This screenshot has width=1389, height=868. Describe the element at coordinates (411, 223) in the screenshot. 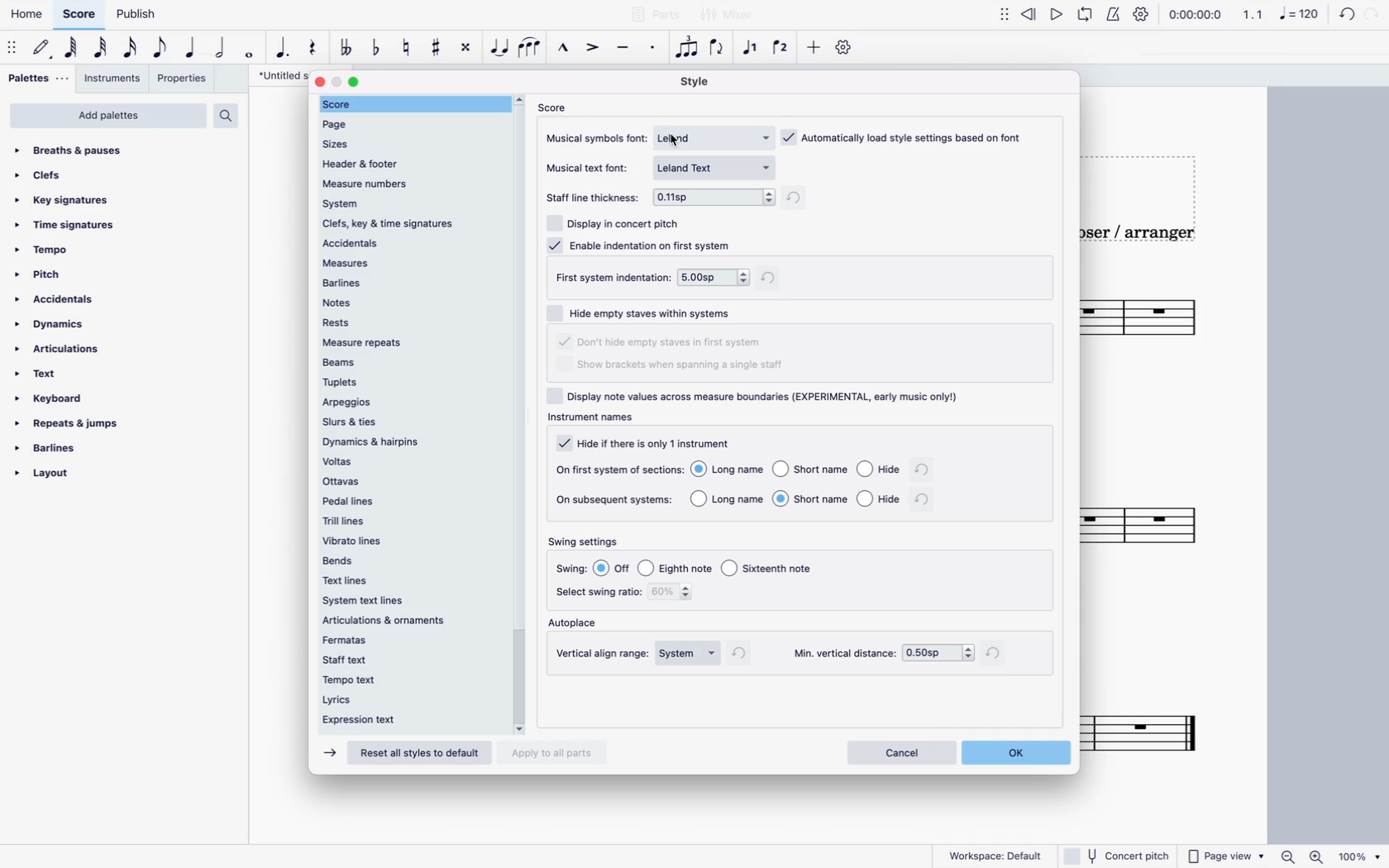

I see `clefs, key & time signatures` at that location.